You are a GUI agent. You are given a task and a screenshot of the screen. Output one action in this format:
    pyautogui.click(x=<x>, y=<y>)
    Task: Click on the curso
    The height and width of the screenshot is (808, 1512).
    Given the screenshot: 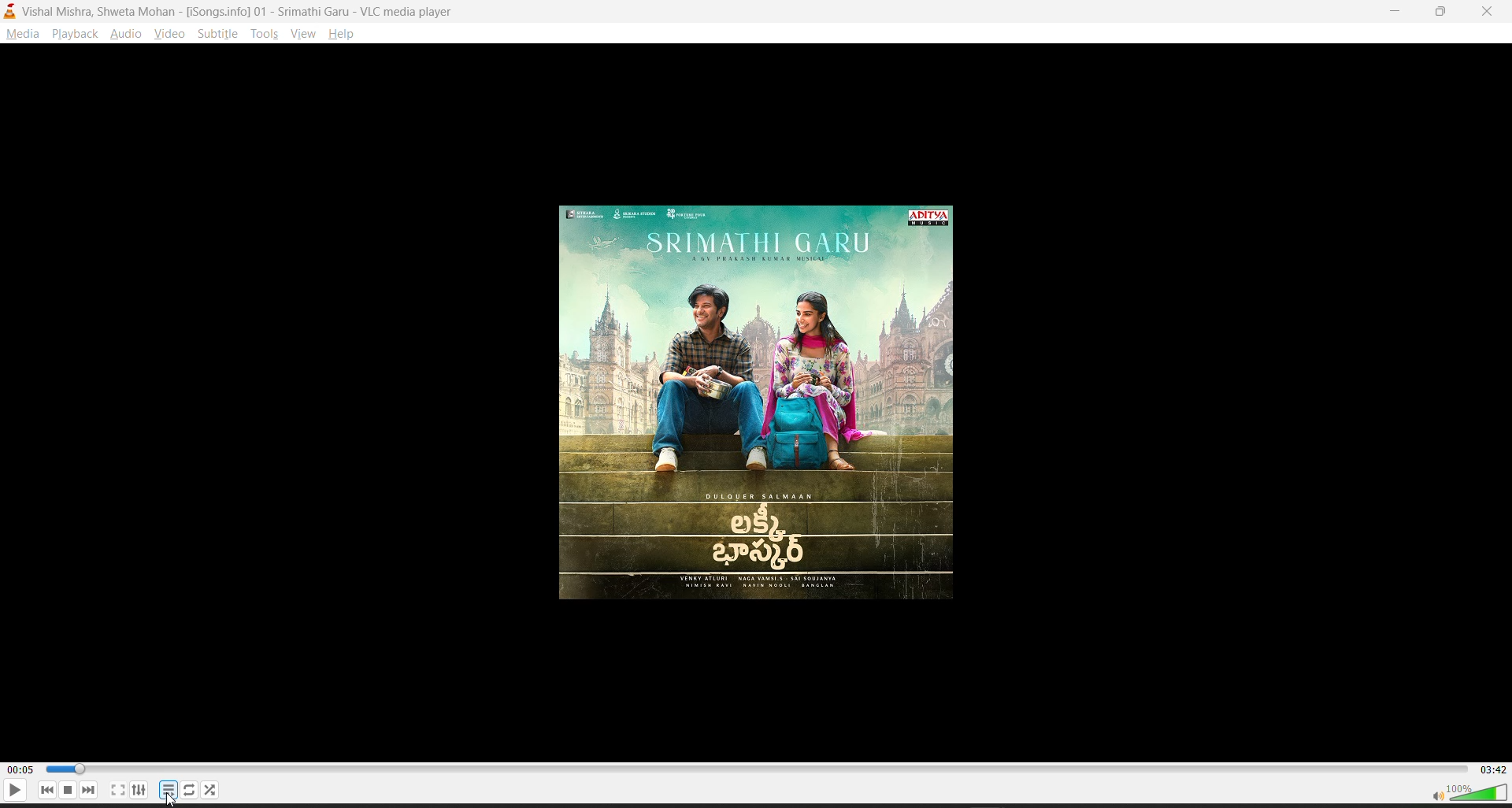 What is the action you would take?
    pyautogui.click(x=169, y=799)
    